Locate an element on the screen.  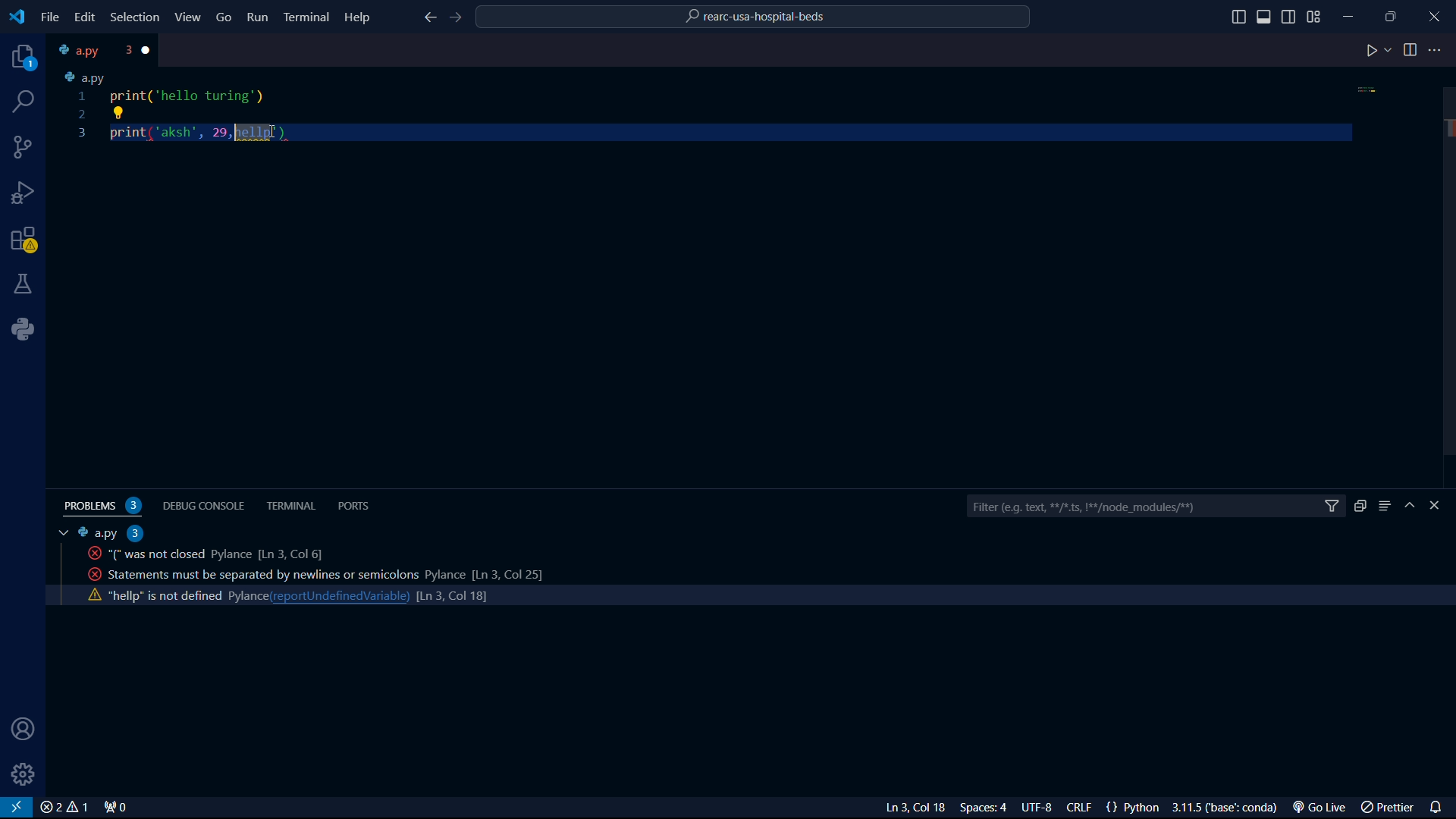
tab is located at coordinates (92, 50).